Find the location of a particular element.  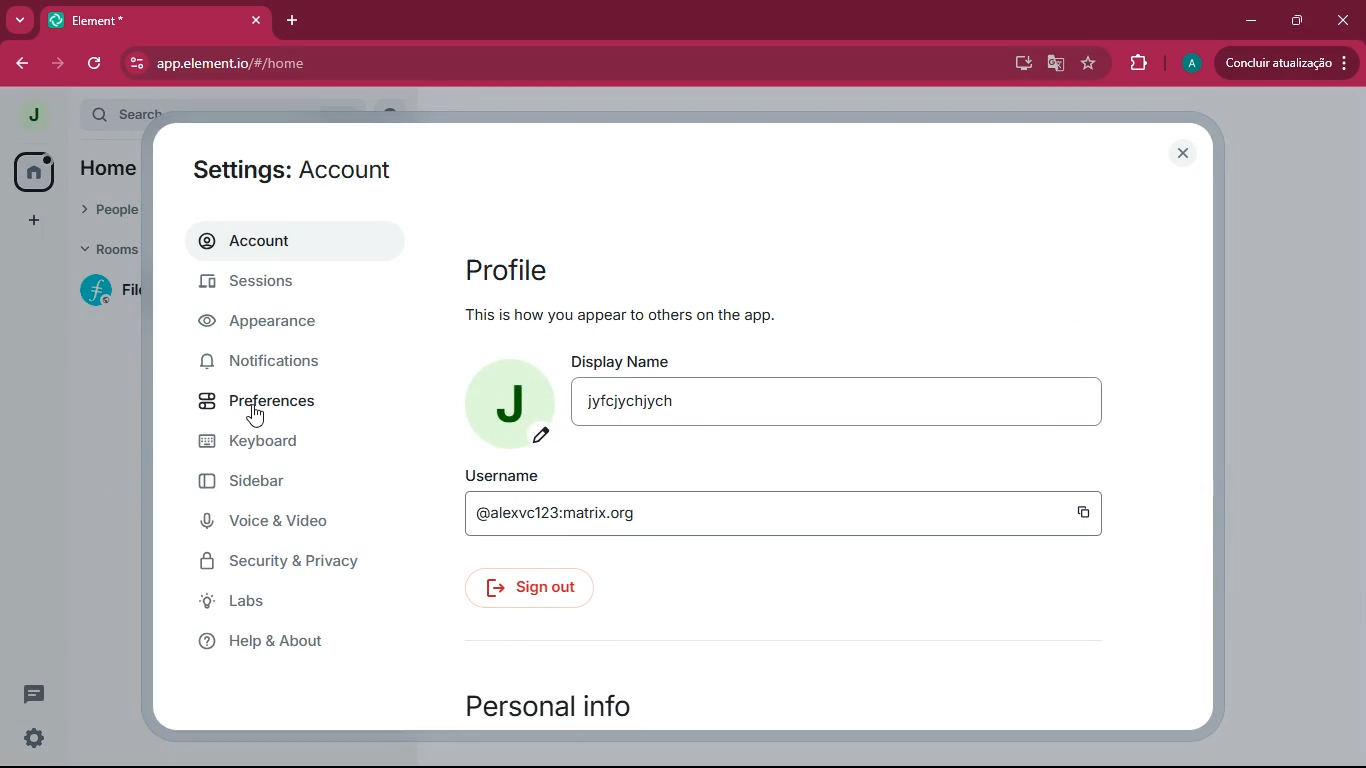

profile is located at coordinates (507, 269).